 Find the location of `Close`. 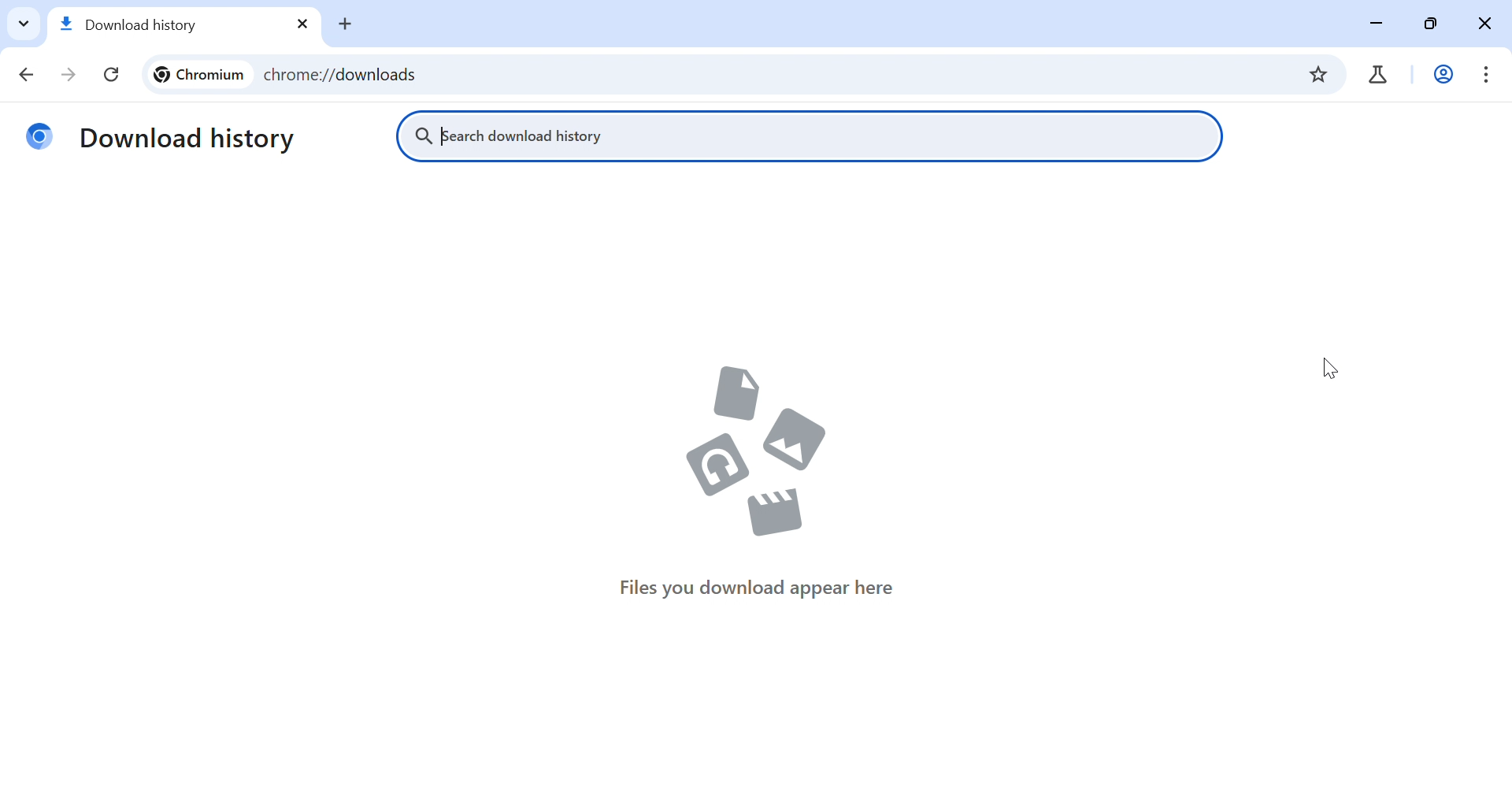

Close is located at coordinates (301, 25).